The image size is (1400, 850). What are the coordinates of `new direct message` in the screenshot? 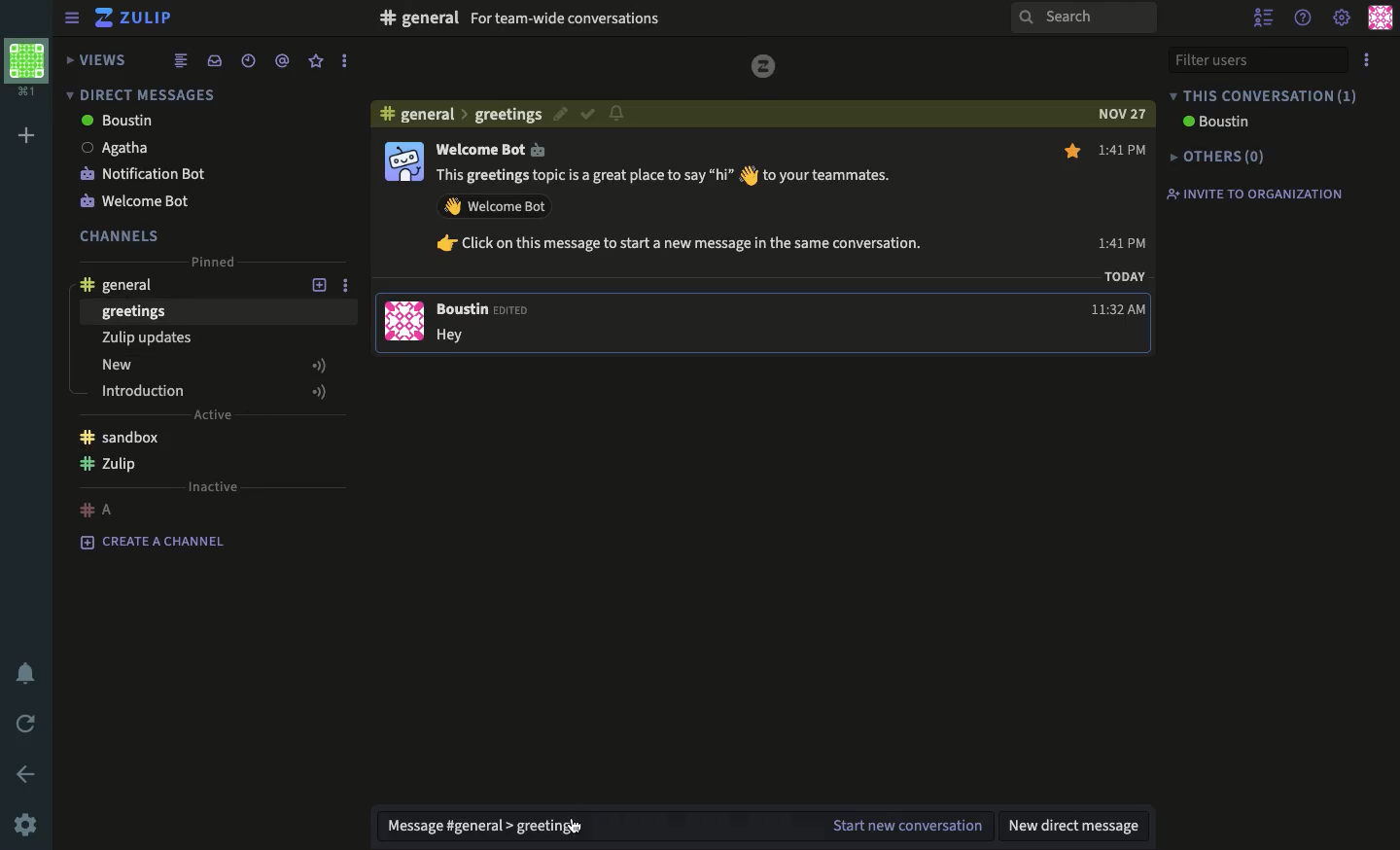 It's located at (1076, 826).